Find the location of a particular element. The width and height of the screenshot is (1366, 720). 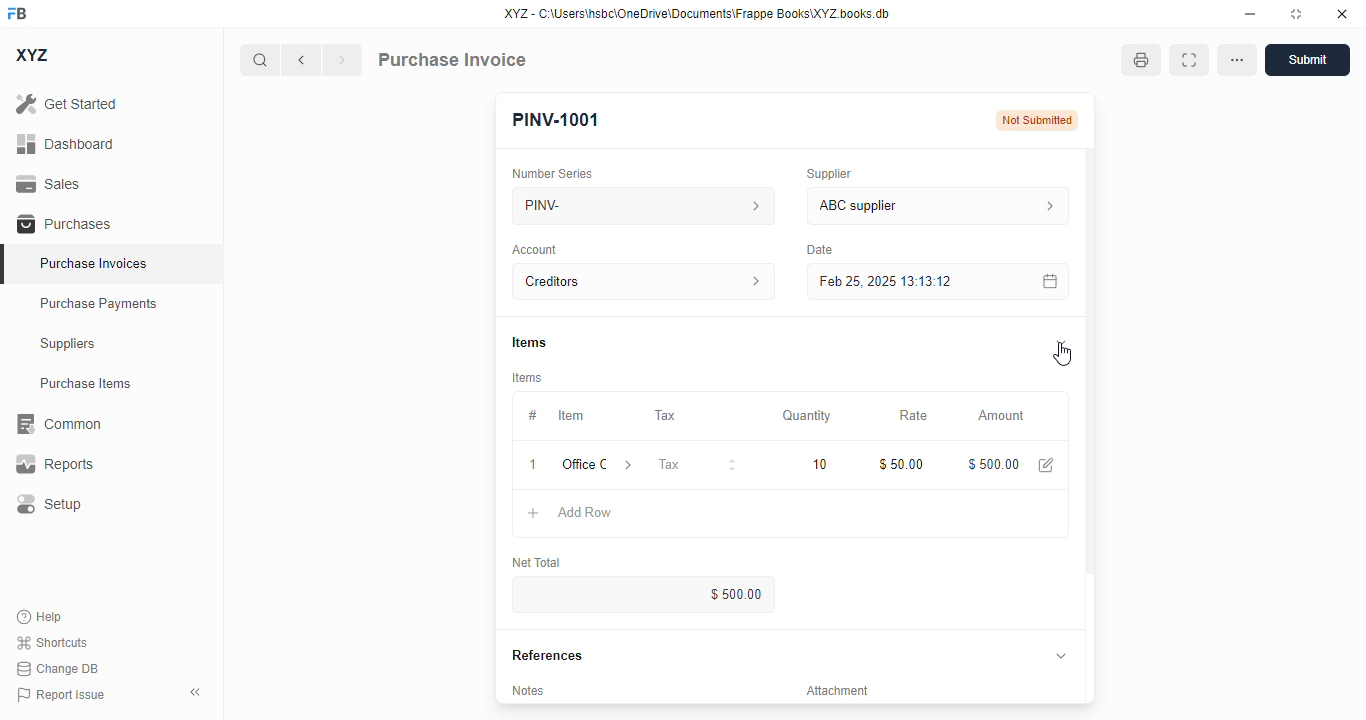

shortcuts is located at coordinates (53, 642).